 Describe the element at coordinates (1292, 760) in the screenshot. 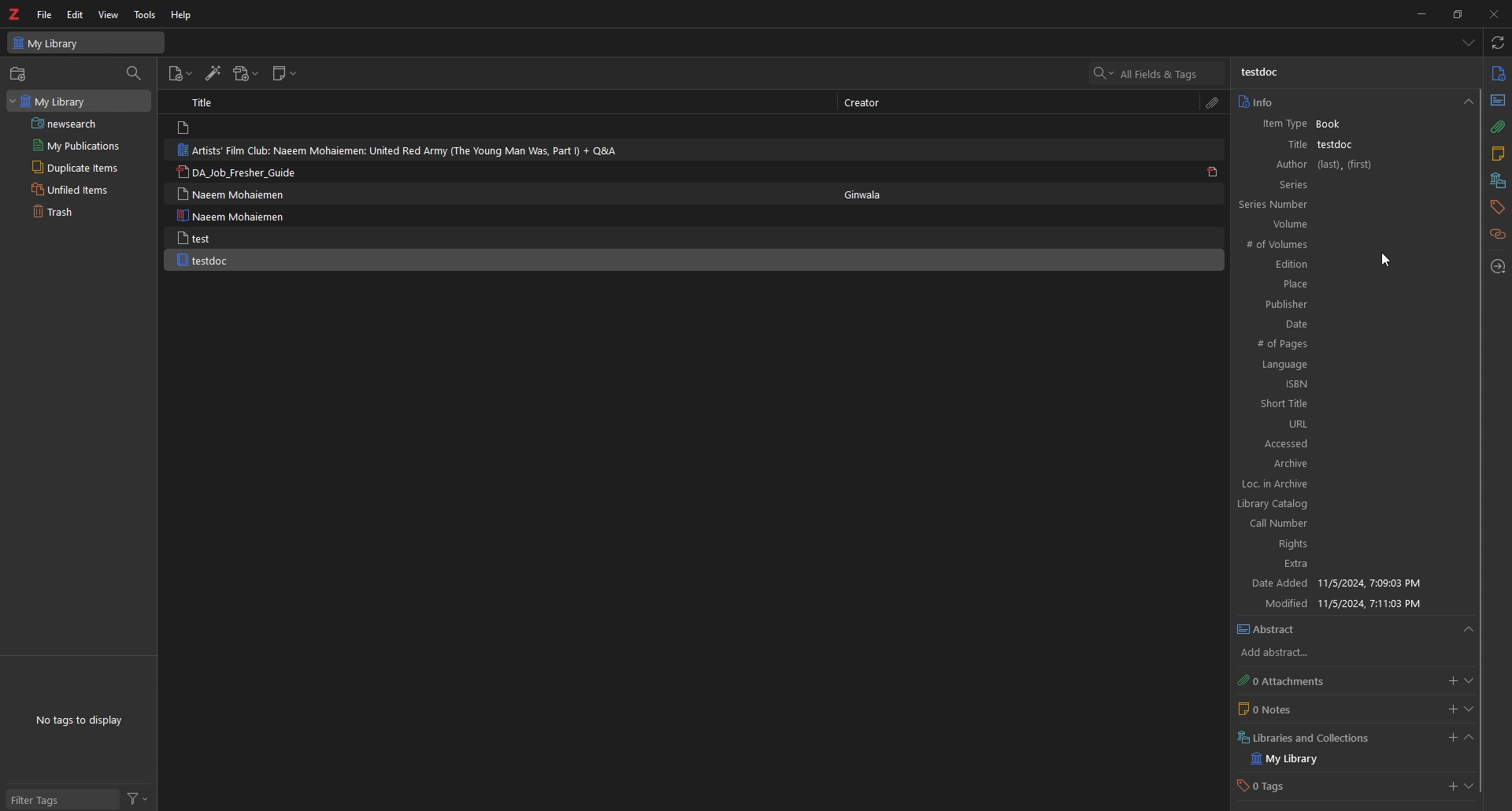

I see `My Library` at that location.